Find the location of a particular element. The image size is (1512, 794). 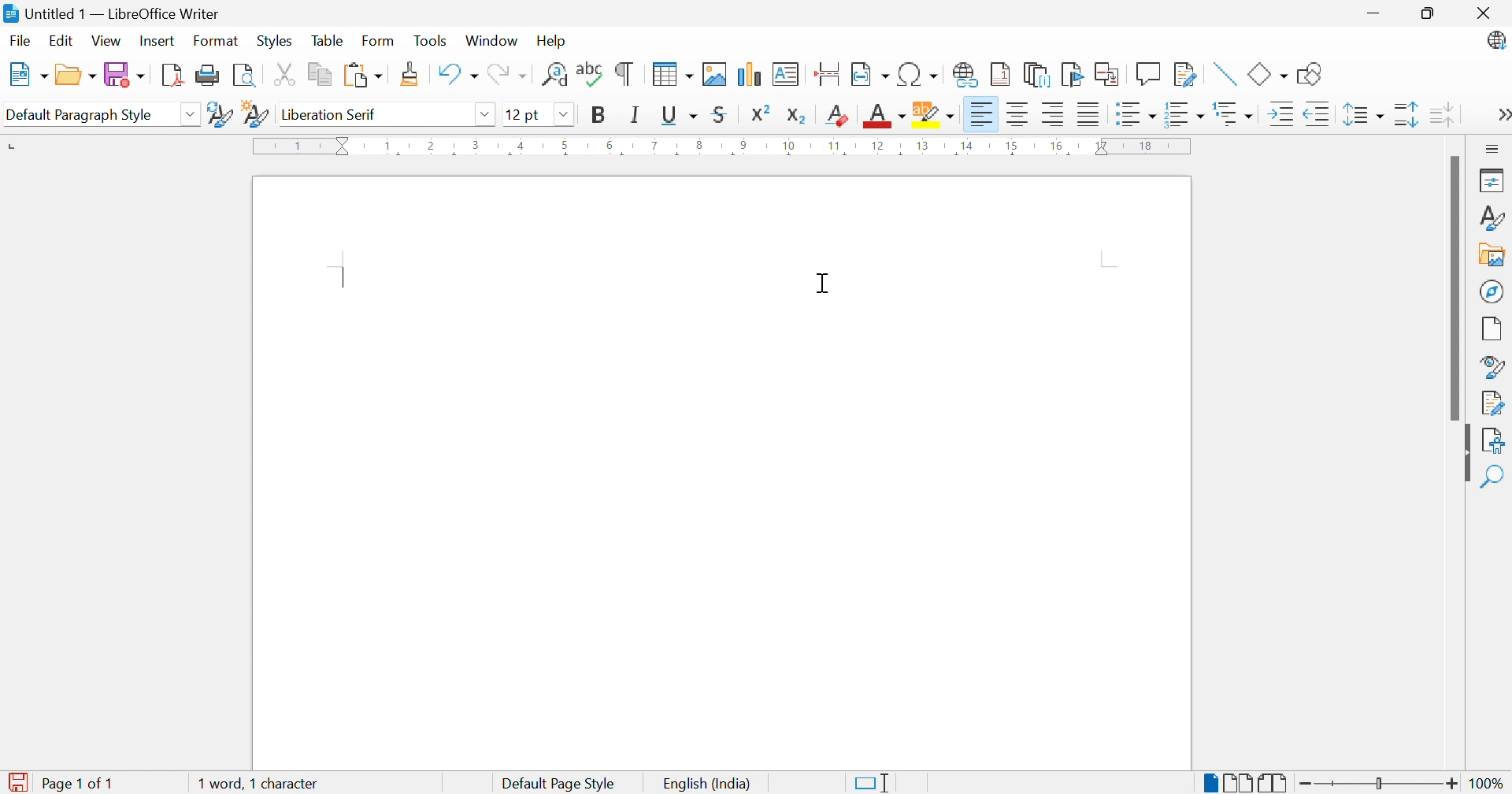

Export as PDF is located at coordinates (171, 76).